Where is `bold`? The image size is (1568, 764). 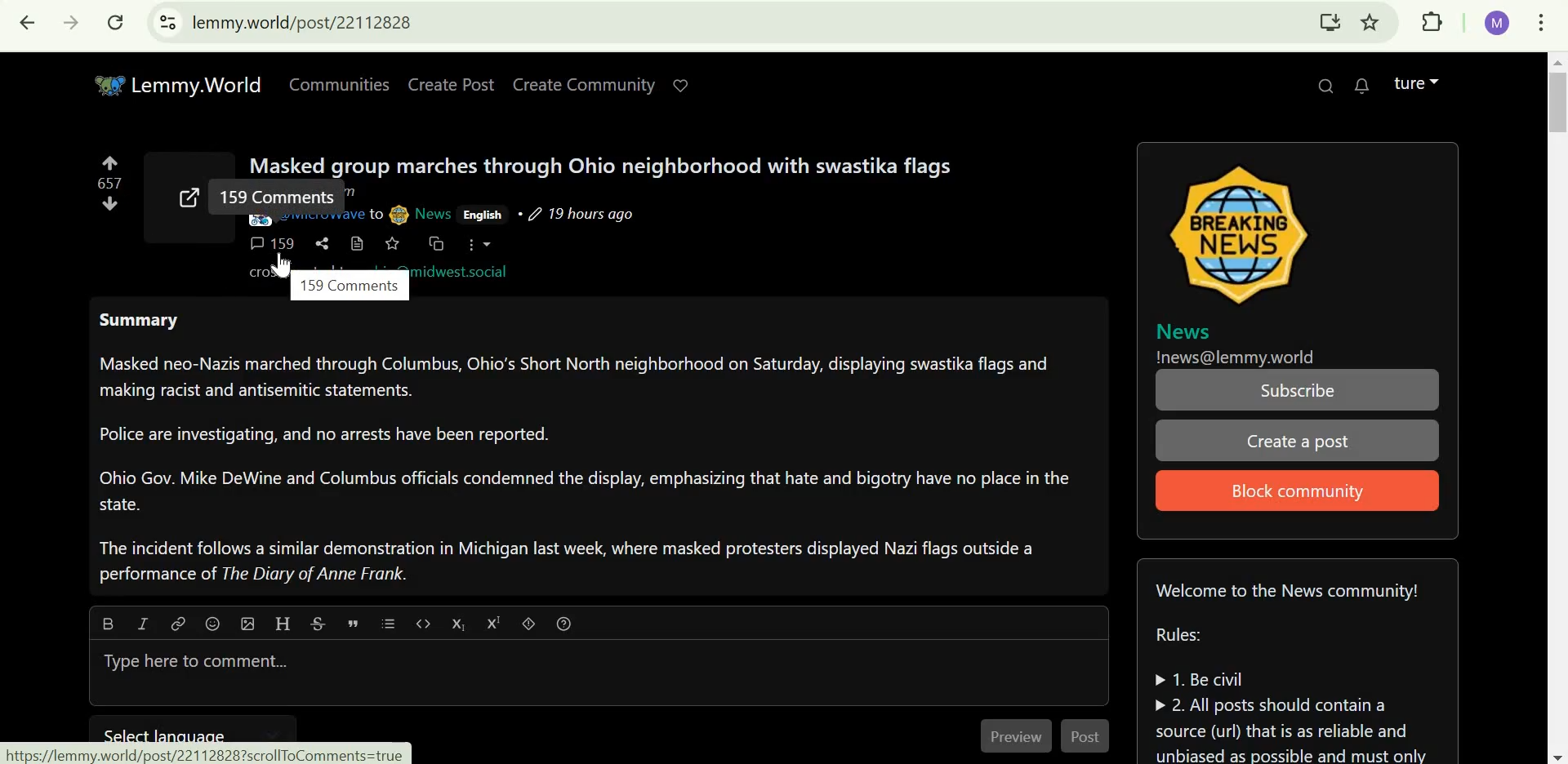
bold is located at coordinates (105, 623).